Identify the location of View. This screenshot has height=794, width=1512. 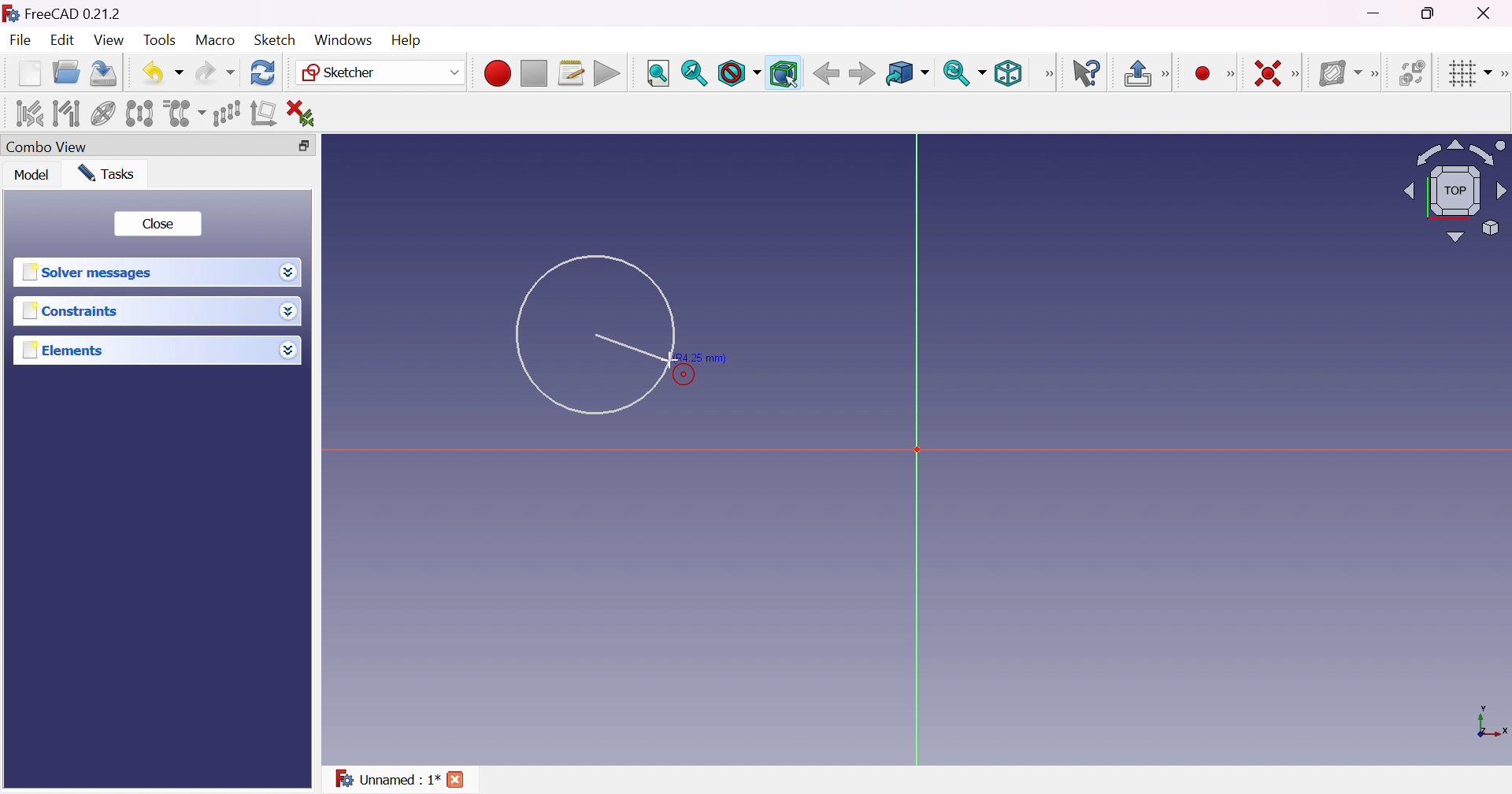
(108, 39).